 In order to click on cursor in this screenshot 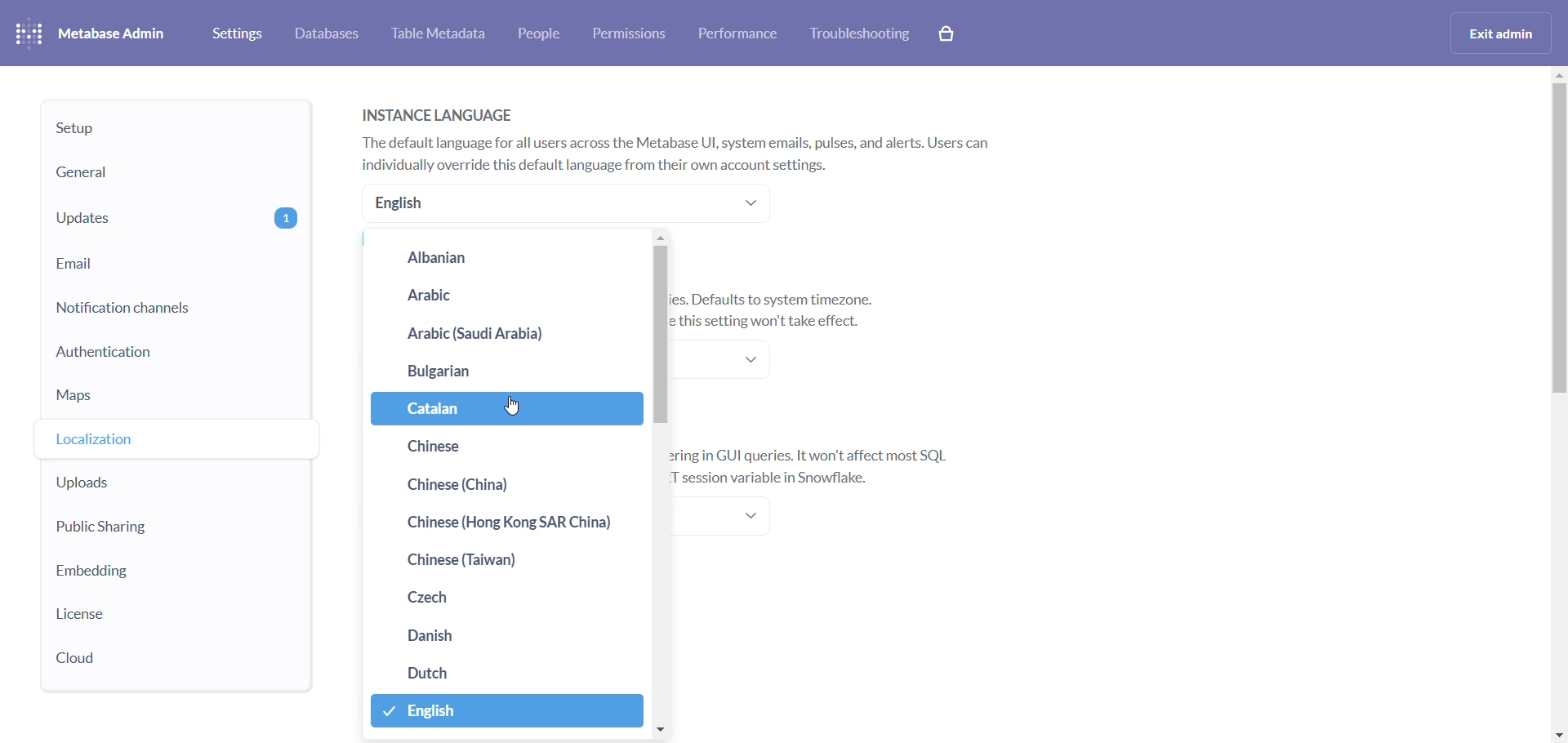, I will do `click(512, 406)`.